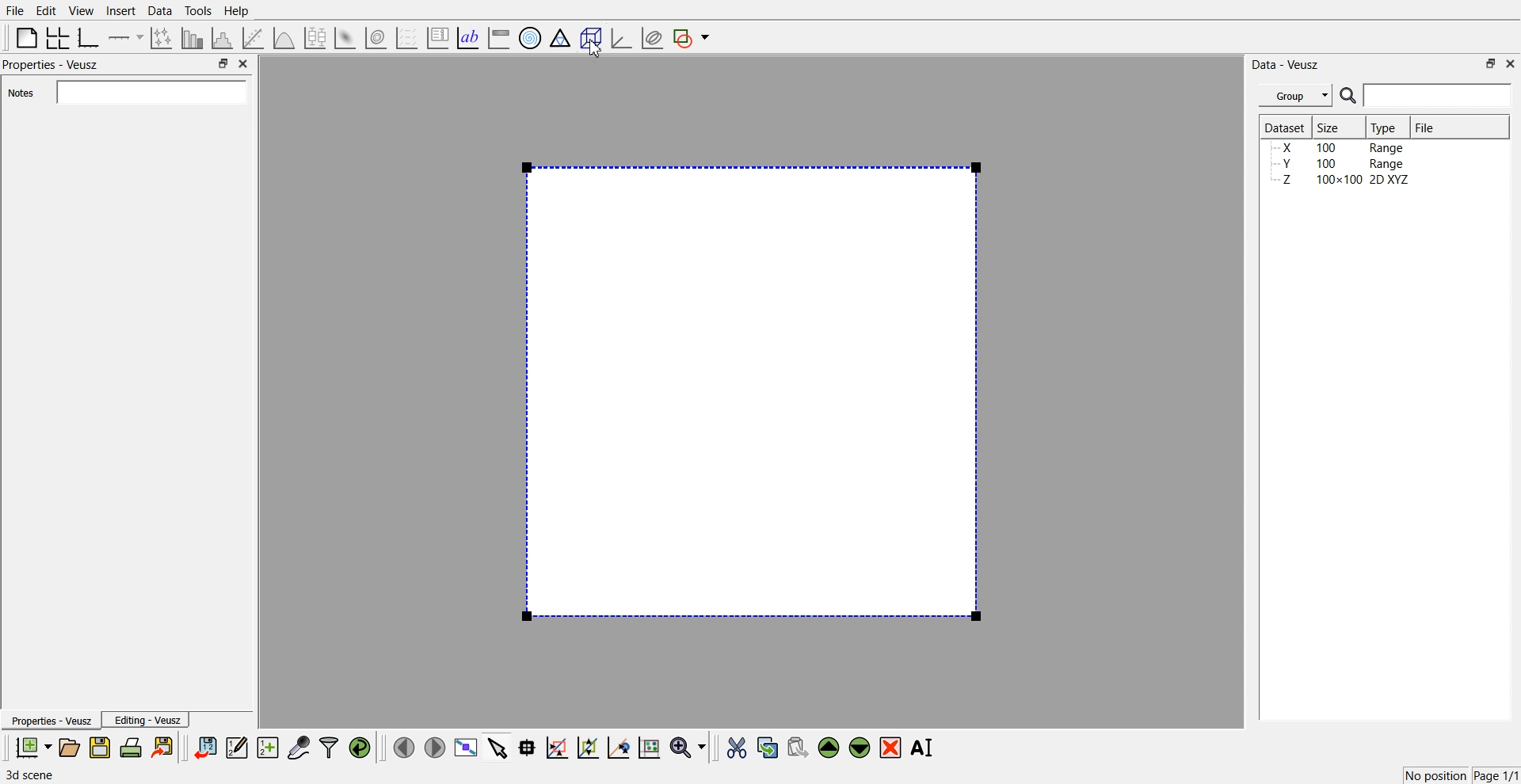 Image resolution: width=1521 pixels, height=784 pixels. I want to click on Notes, so click(21, 93).